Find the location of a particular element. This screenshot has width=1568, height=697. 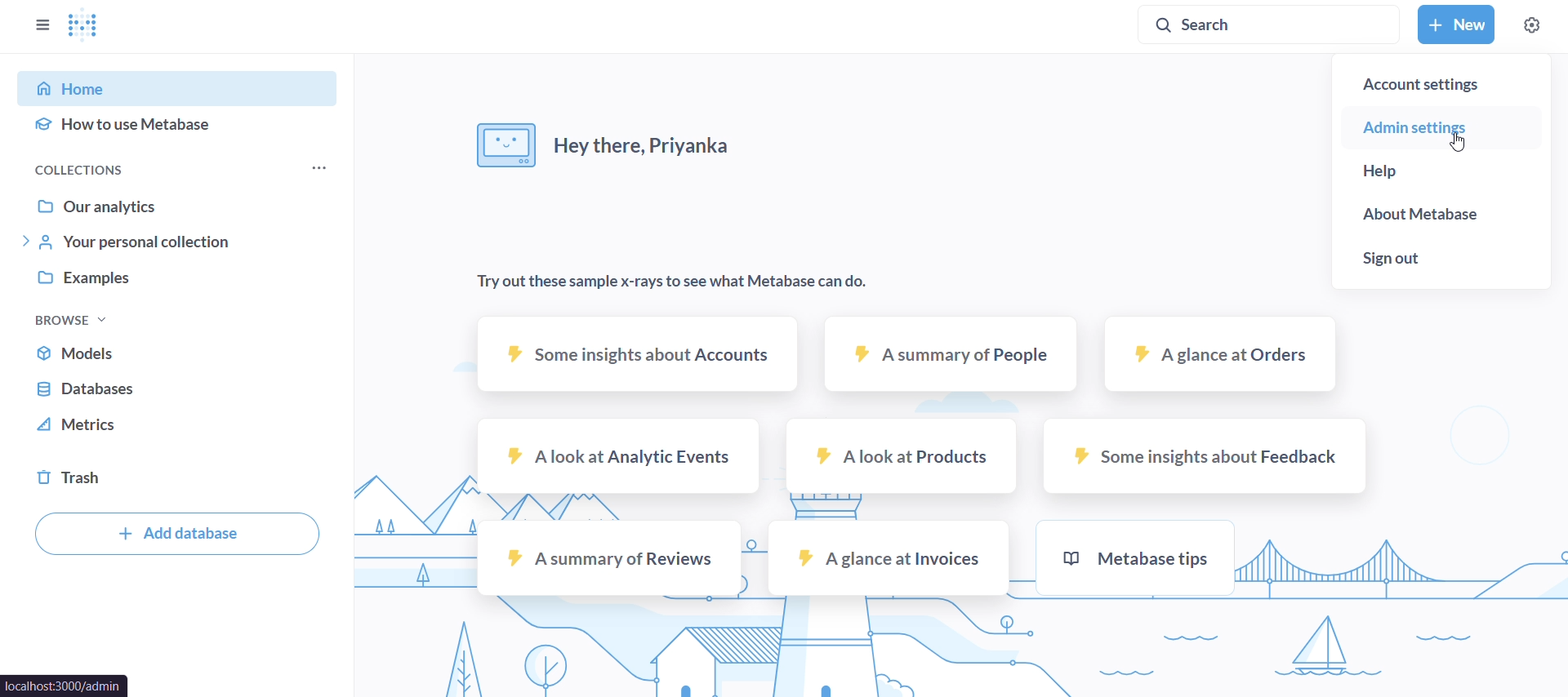

collections is located at coordinates (124, 168).